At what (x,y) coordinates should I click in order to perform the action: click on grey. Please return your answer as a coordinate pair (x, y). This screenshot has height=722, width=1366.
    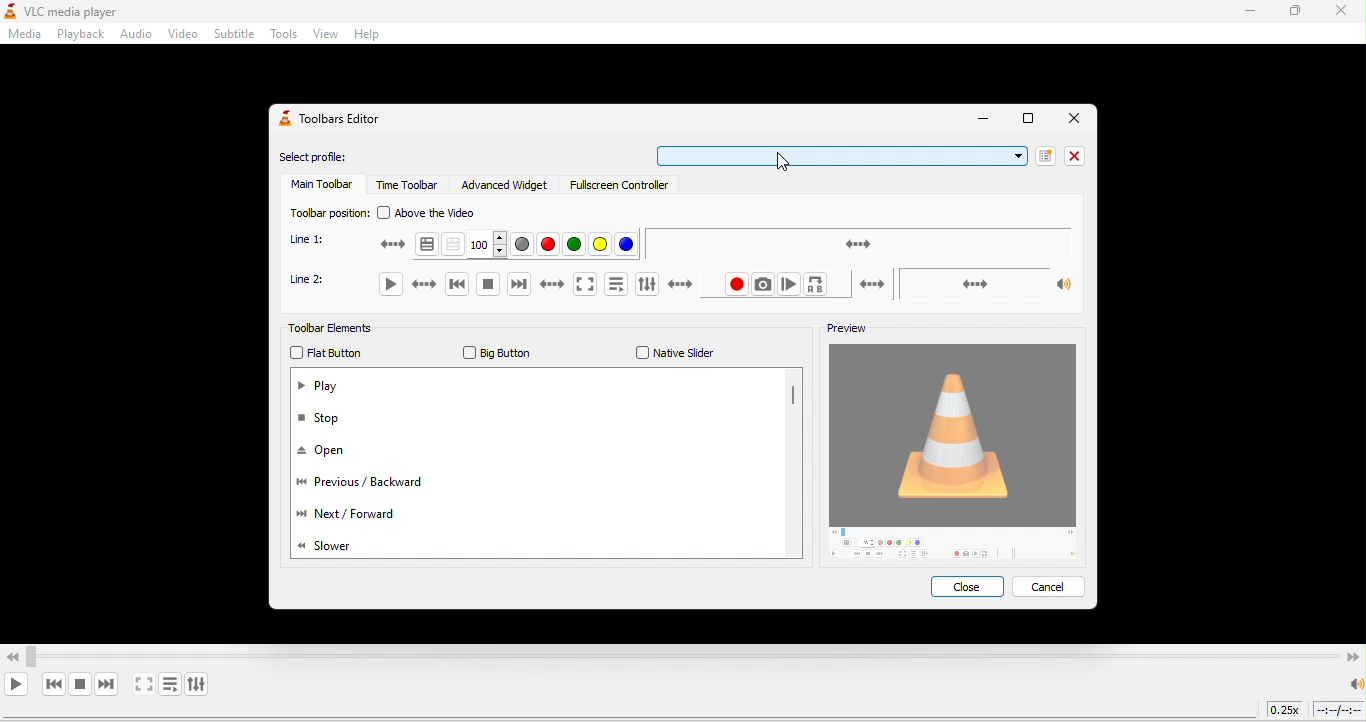
    Looking at the image, I should click on (521, 245).